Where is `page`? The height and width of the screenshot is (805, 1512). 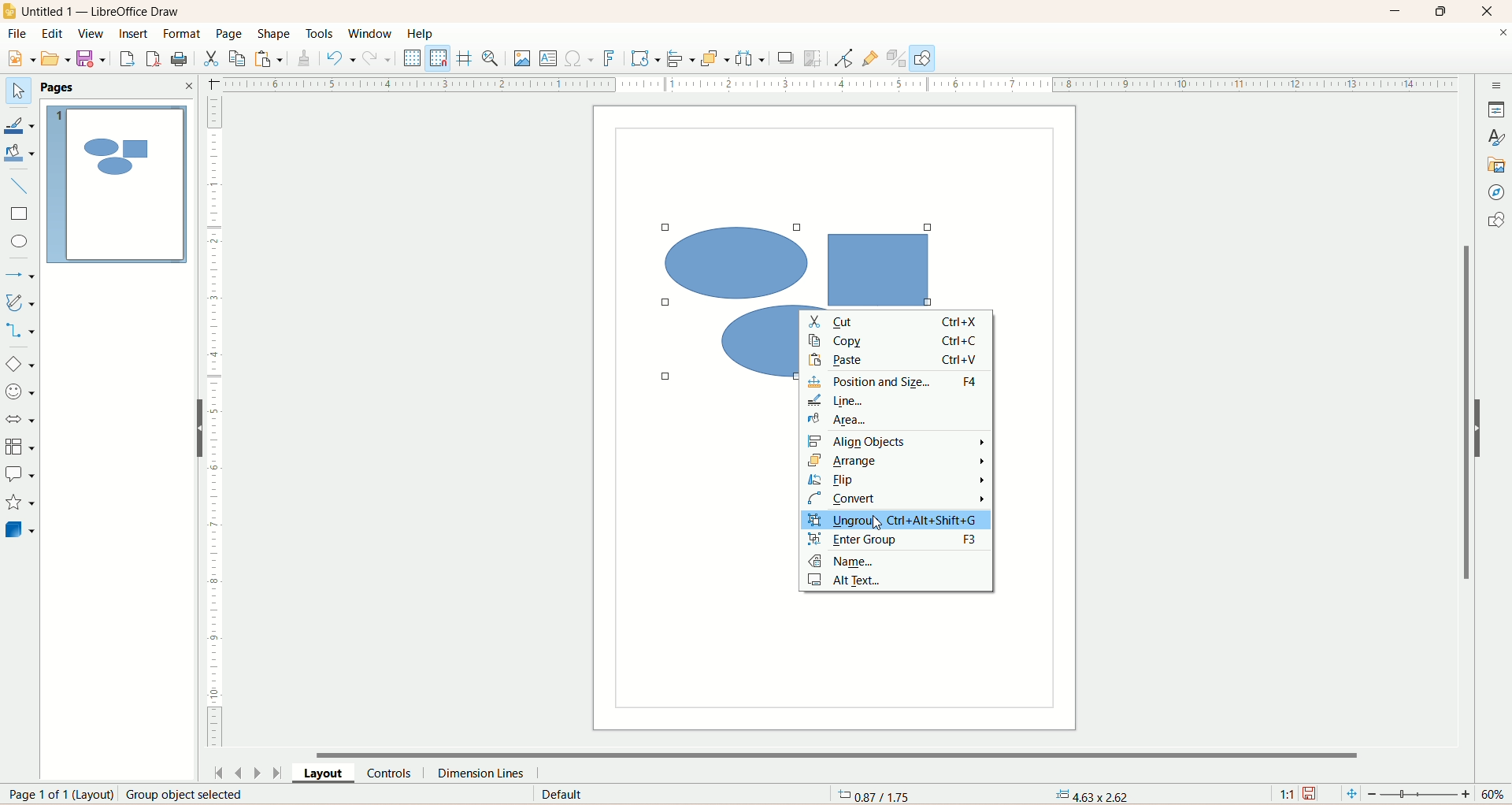 page is located at coordinates (230, 33).